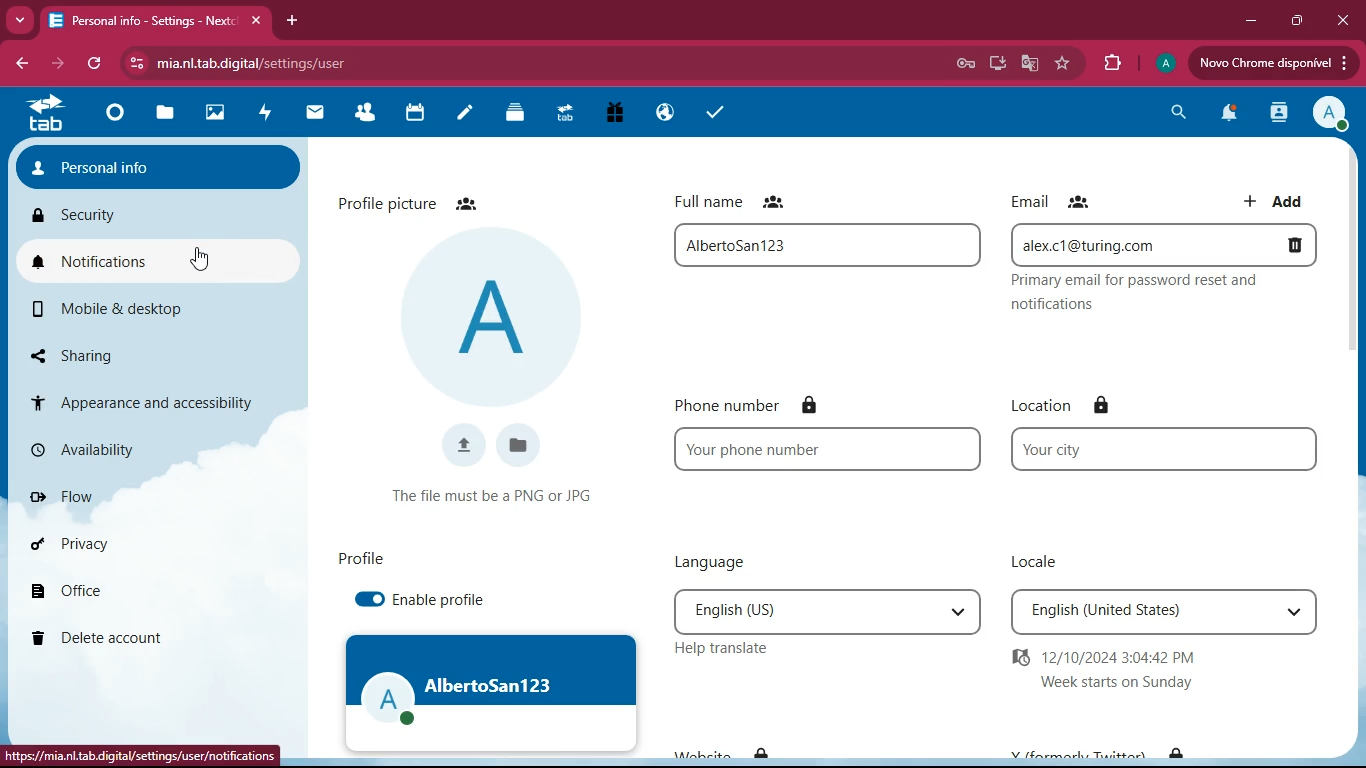 The width and height of the screenshot is (1366, 768). I want to click on close, so click(1342, 19).